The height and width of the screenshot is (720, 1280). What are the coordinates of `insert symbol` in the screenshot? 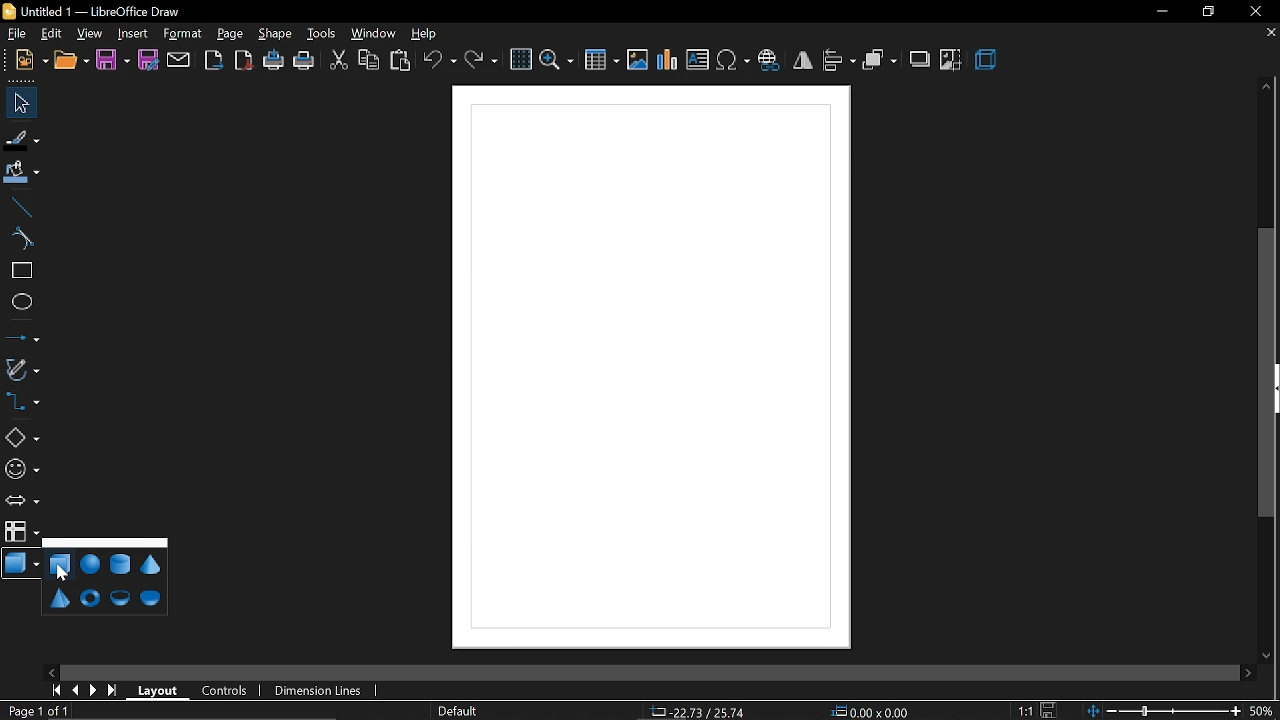 It's located at (734, 59).